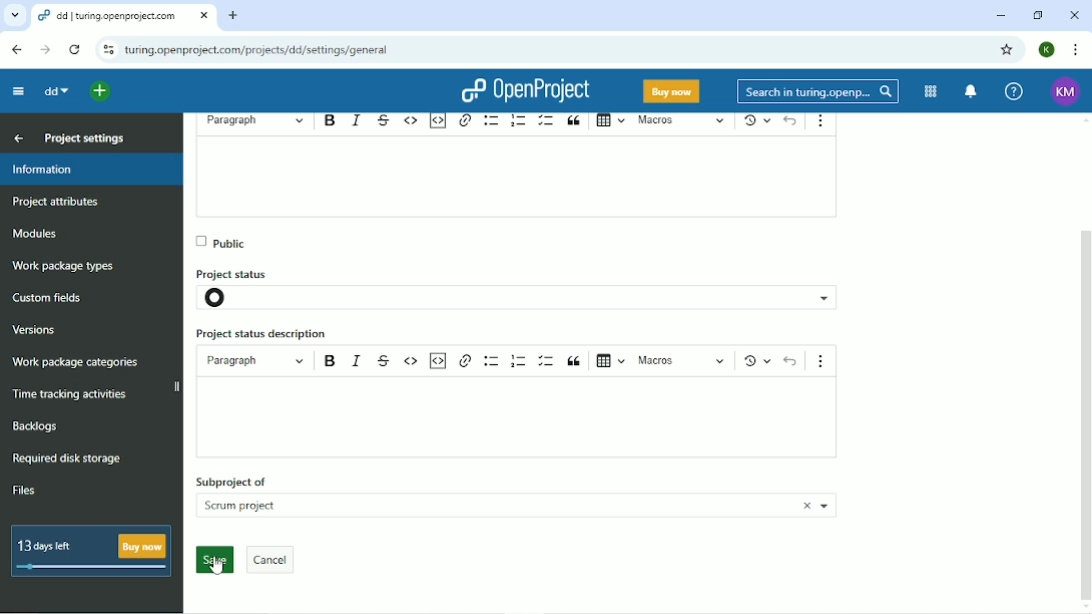  Describe the element at coordinates (25, 491) in the screenshot. I see `Files` at that location.